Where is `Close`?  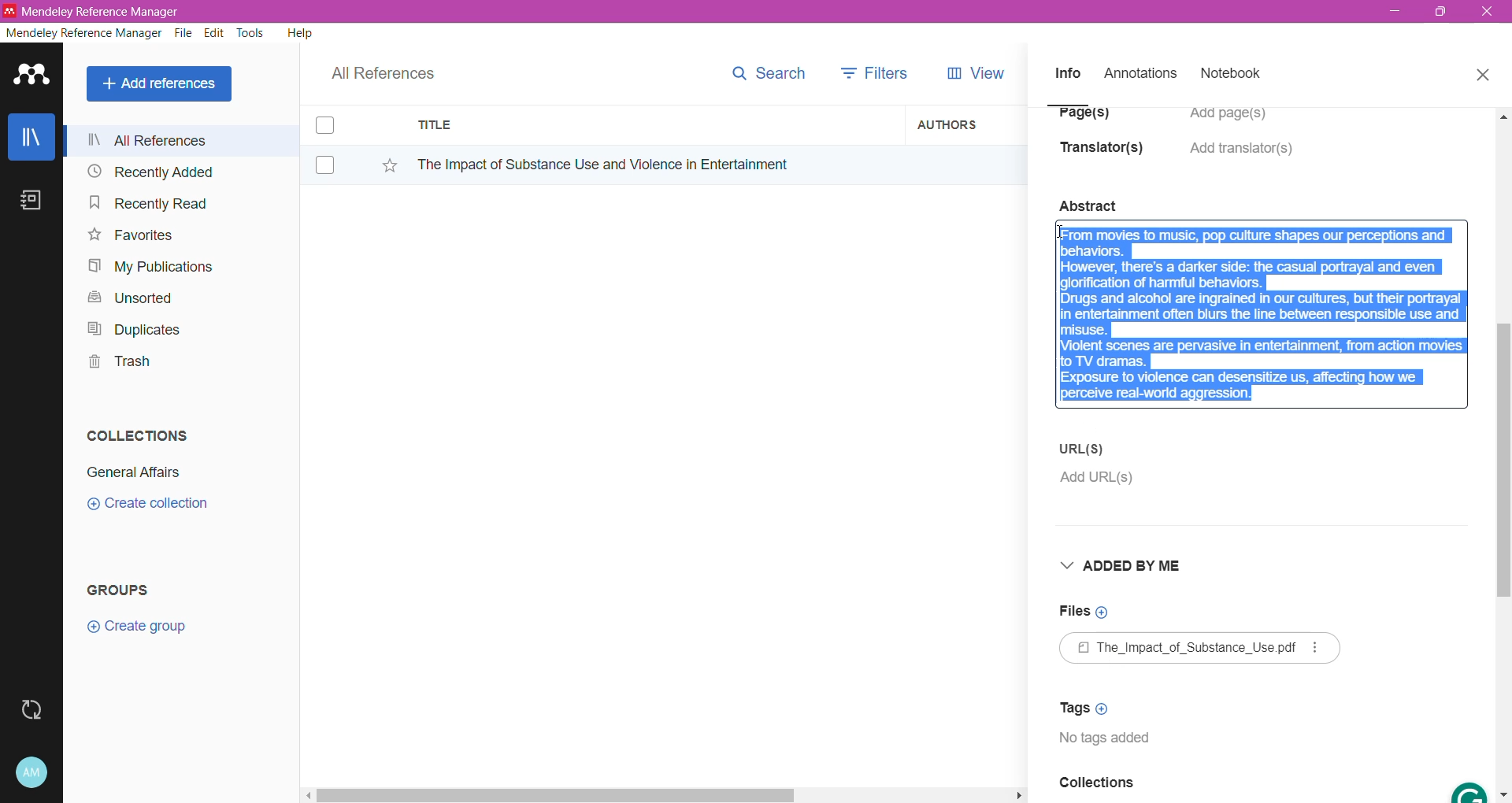 Close is located at coordinates (1482, 72).